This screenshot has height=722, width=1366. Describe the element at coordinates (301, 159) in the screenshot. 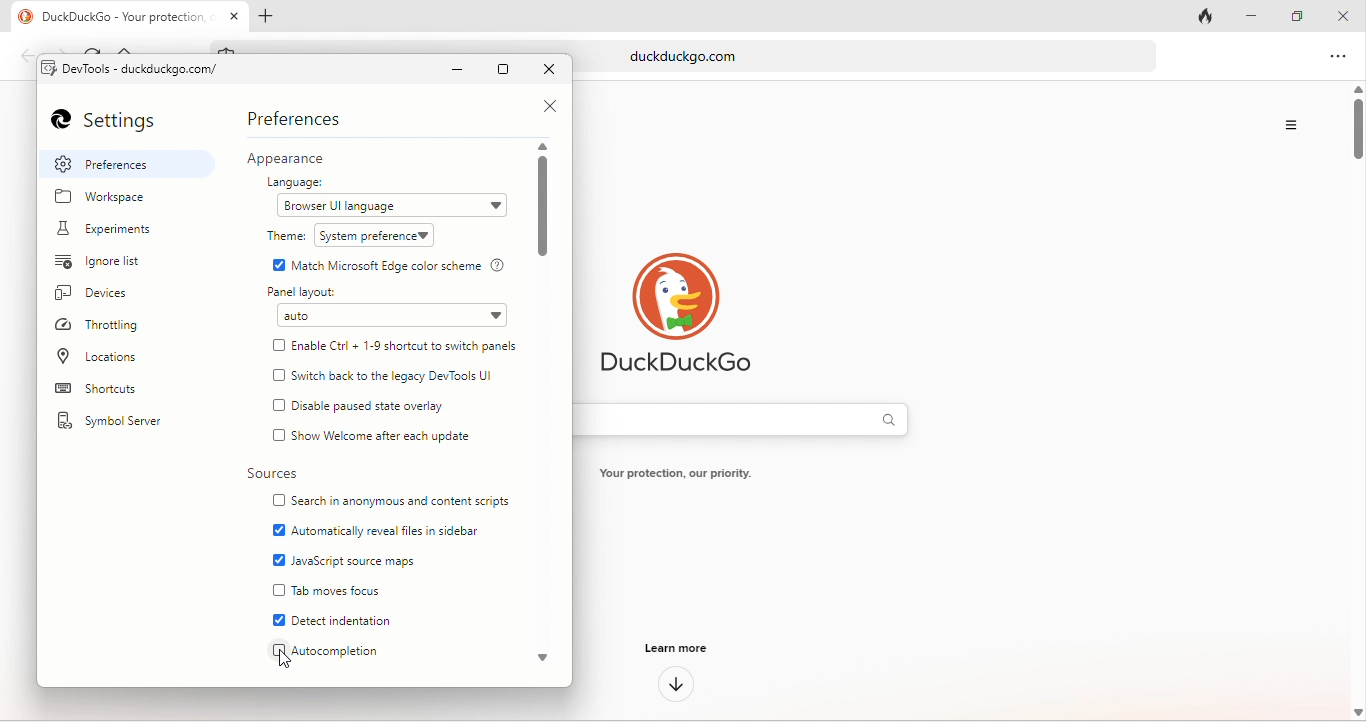

I see `appearance` at that location.